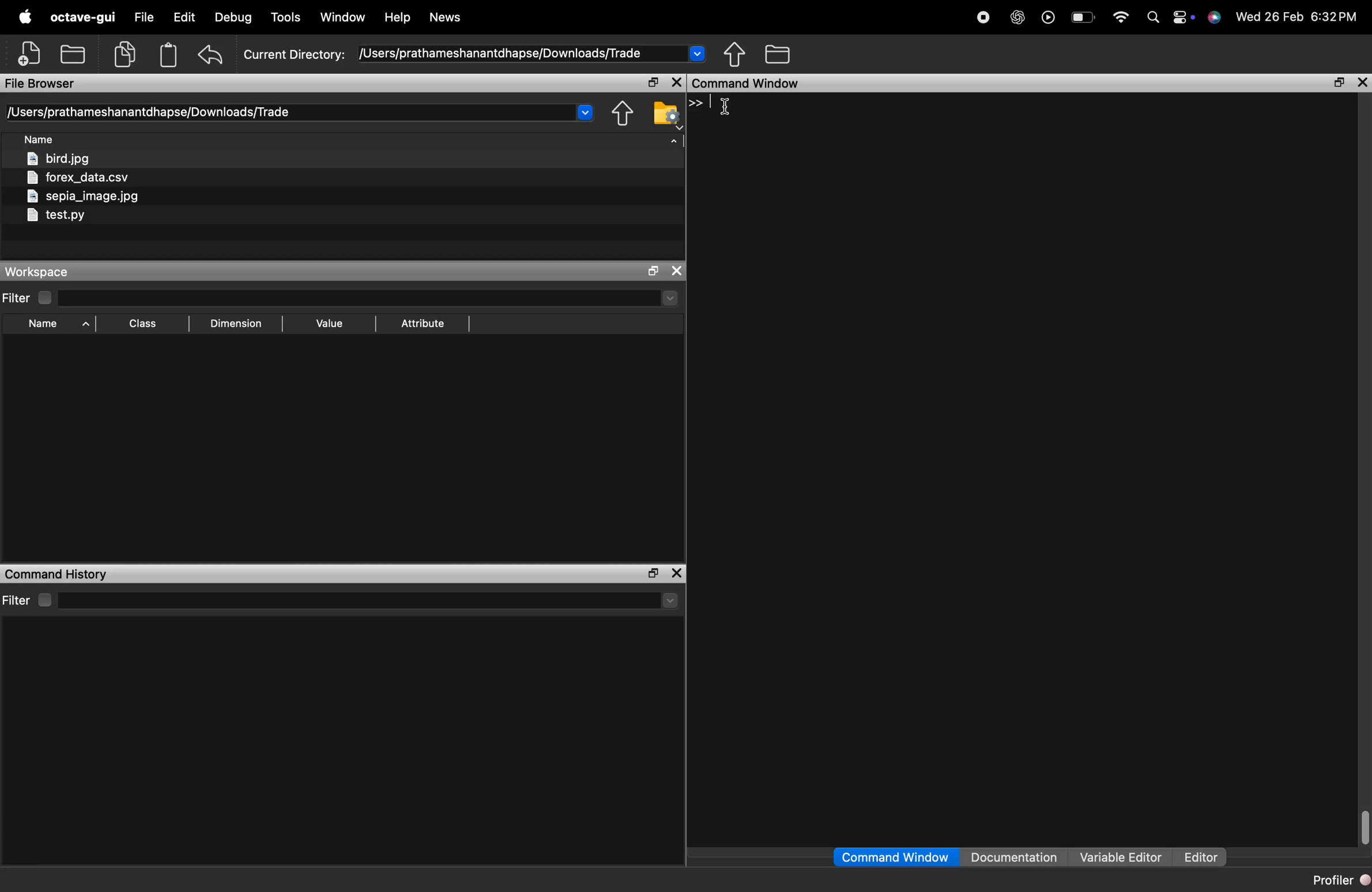 This screenshot has height=892, width=1372. What do you see at coordinates (1017, 17) in the screenshot?
I see `chatgpt` at bounding box center [1017, 17].